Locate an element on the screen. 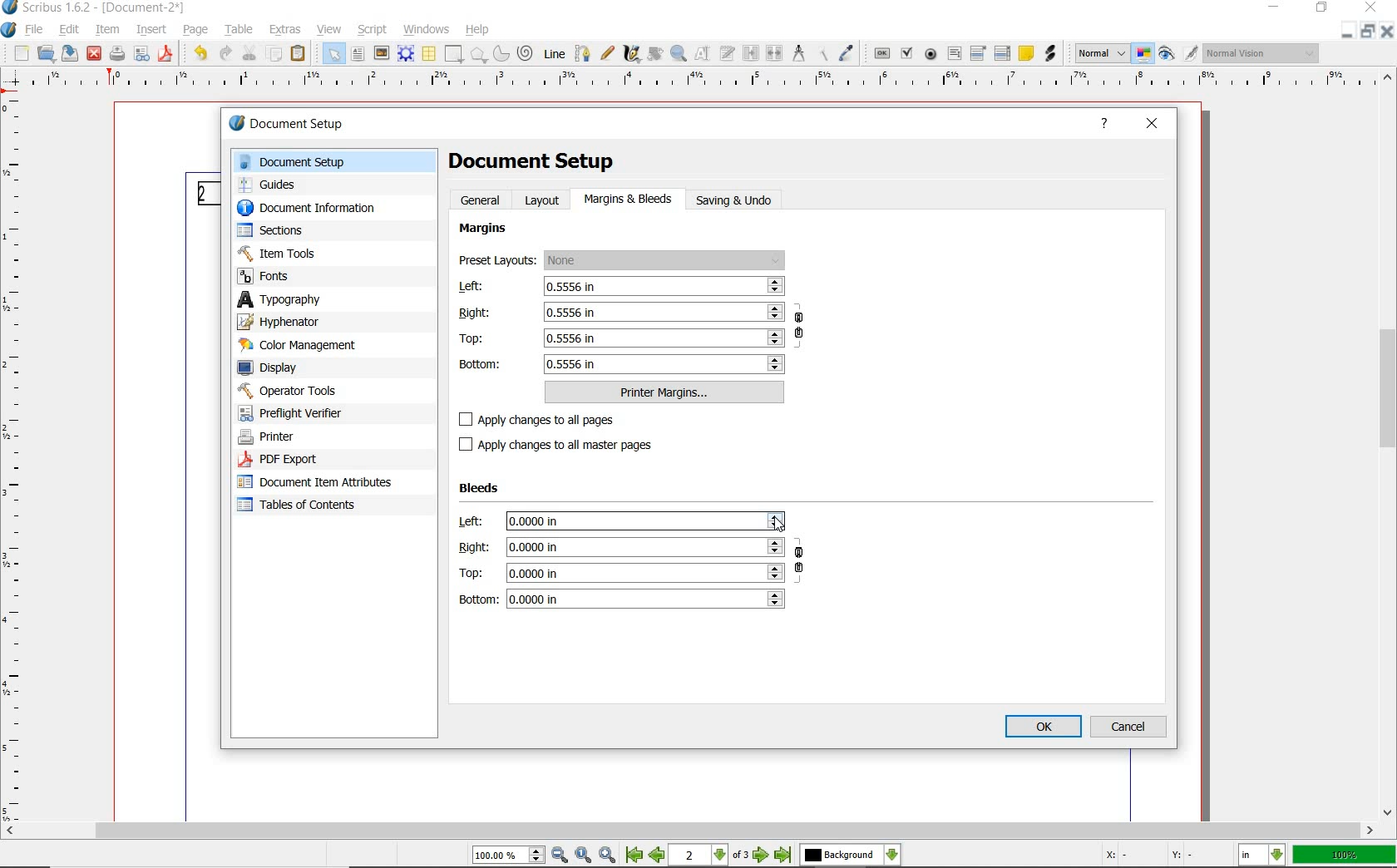  preflight verifier is located at coordinates (143, 54).